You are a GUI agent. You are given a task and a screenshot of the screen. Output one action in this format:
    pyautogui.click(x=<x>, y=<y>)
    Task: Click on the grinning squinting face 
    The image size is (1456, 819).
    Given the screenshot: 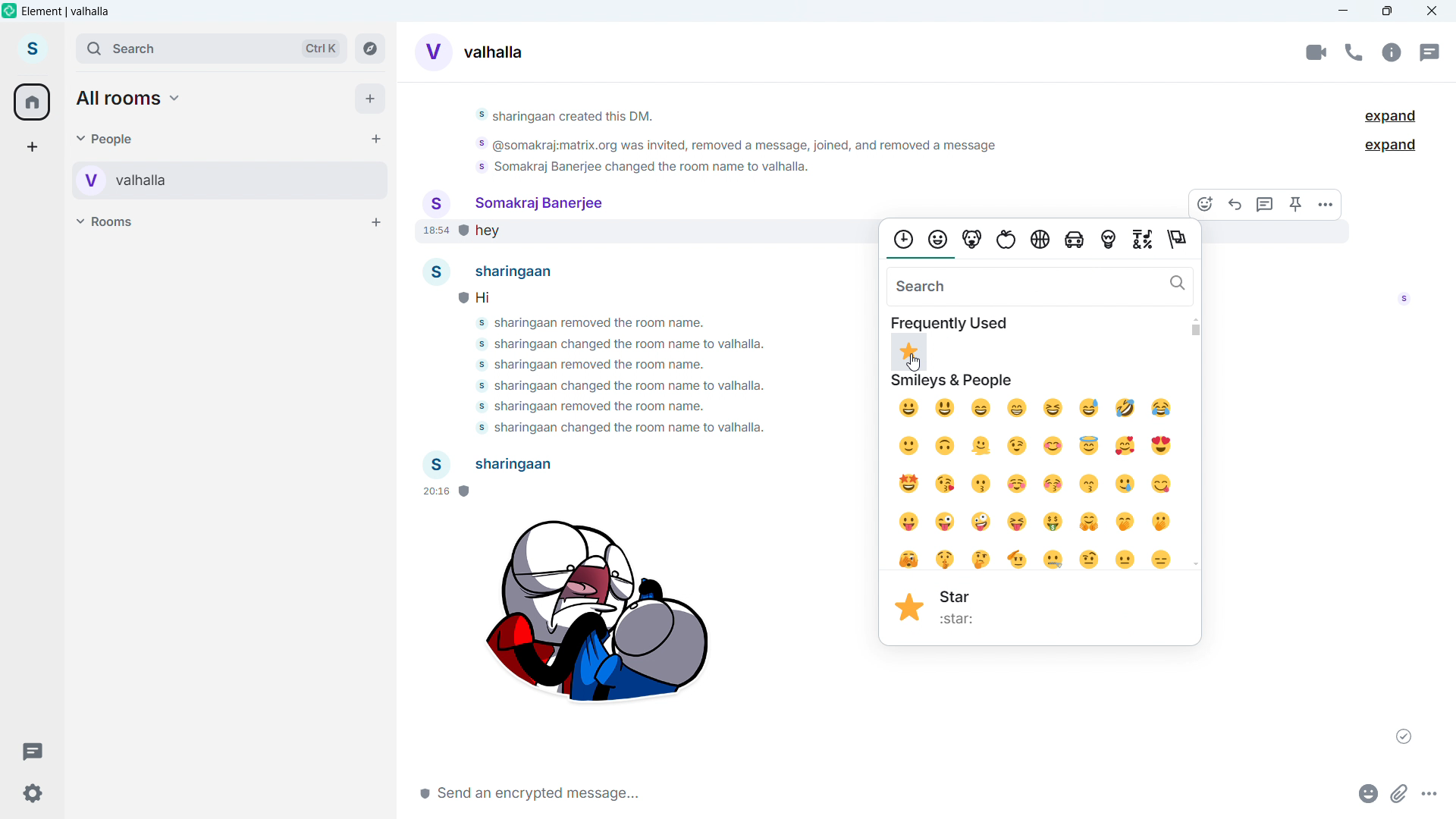 What is the action you would take?
    pyautogui.click(x=1055, y=407)
    